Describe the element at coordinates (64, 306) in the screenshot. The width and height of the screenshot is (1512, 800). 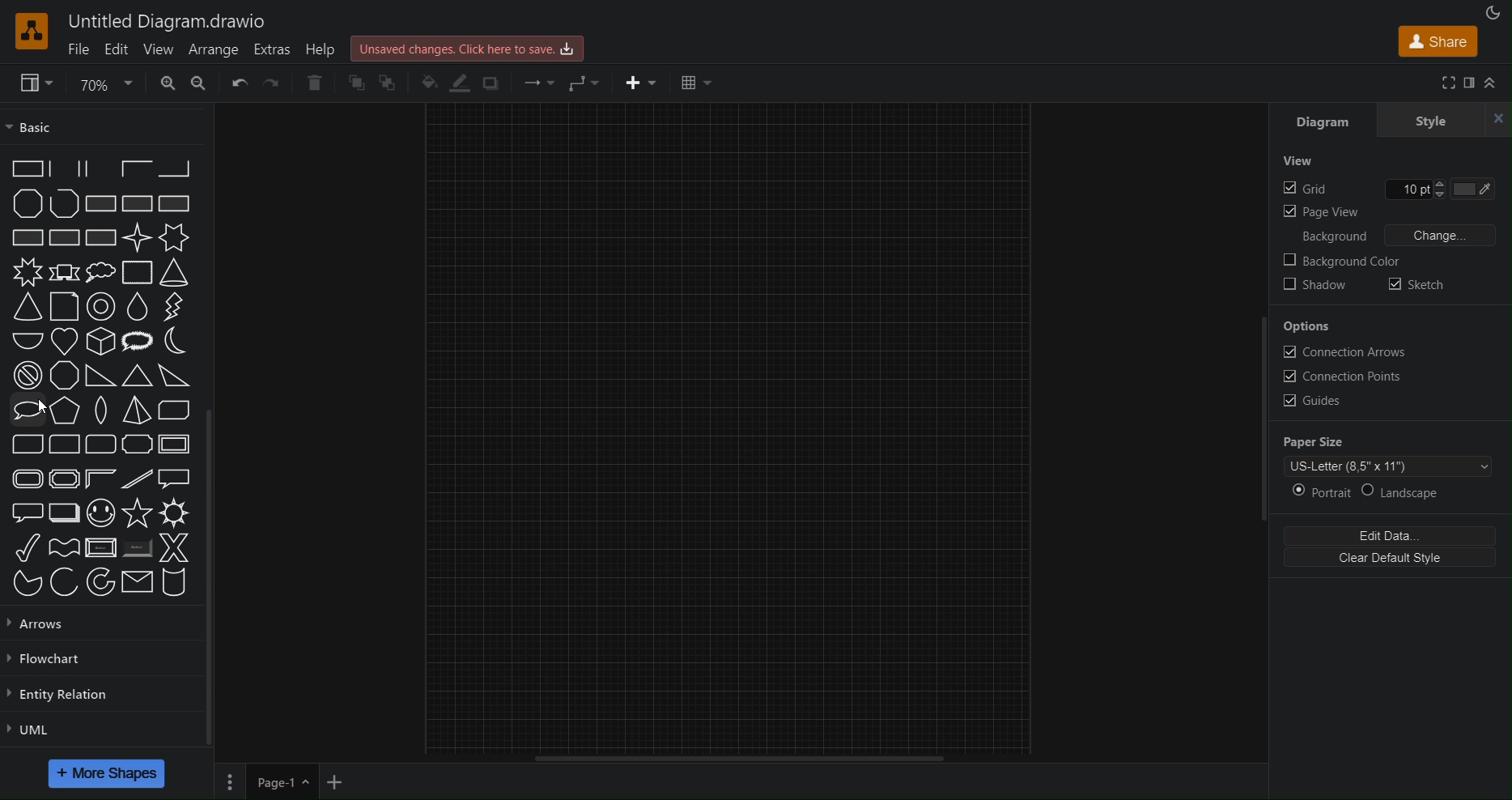
I see `Document` at that location.